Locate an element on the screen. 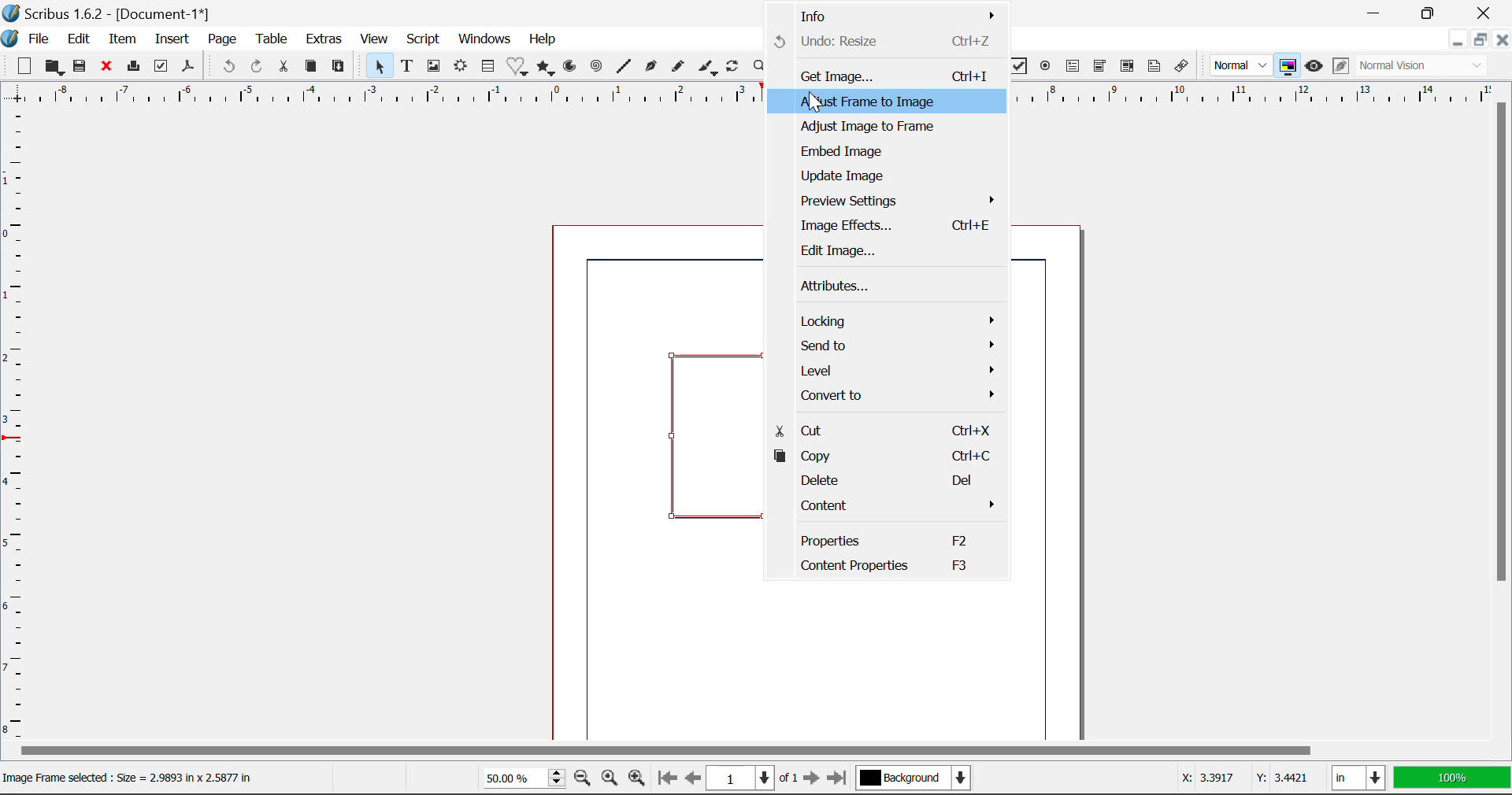 The width and height of the screenshot is (1512, 795). Vertical Scroll Bar is located at coordinates (1503, 423).